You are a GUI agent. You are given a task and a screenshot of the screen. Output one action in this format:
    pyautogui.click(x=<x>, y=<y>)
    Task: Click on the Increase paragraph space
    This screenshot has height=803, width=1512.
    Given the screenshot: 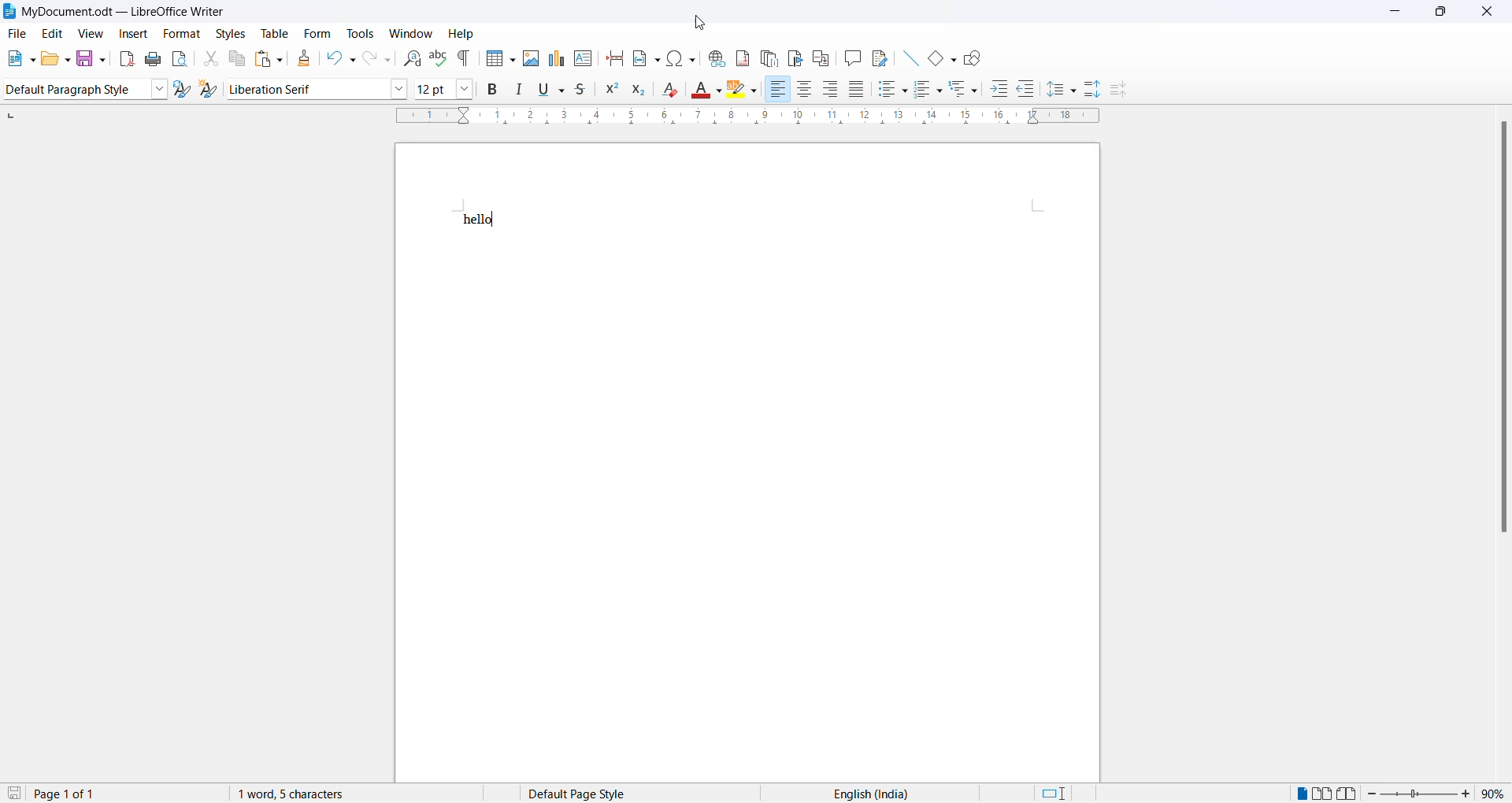 What is the action you would take?
    pyautogui.click(x=1093, y=88)
    